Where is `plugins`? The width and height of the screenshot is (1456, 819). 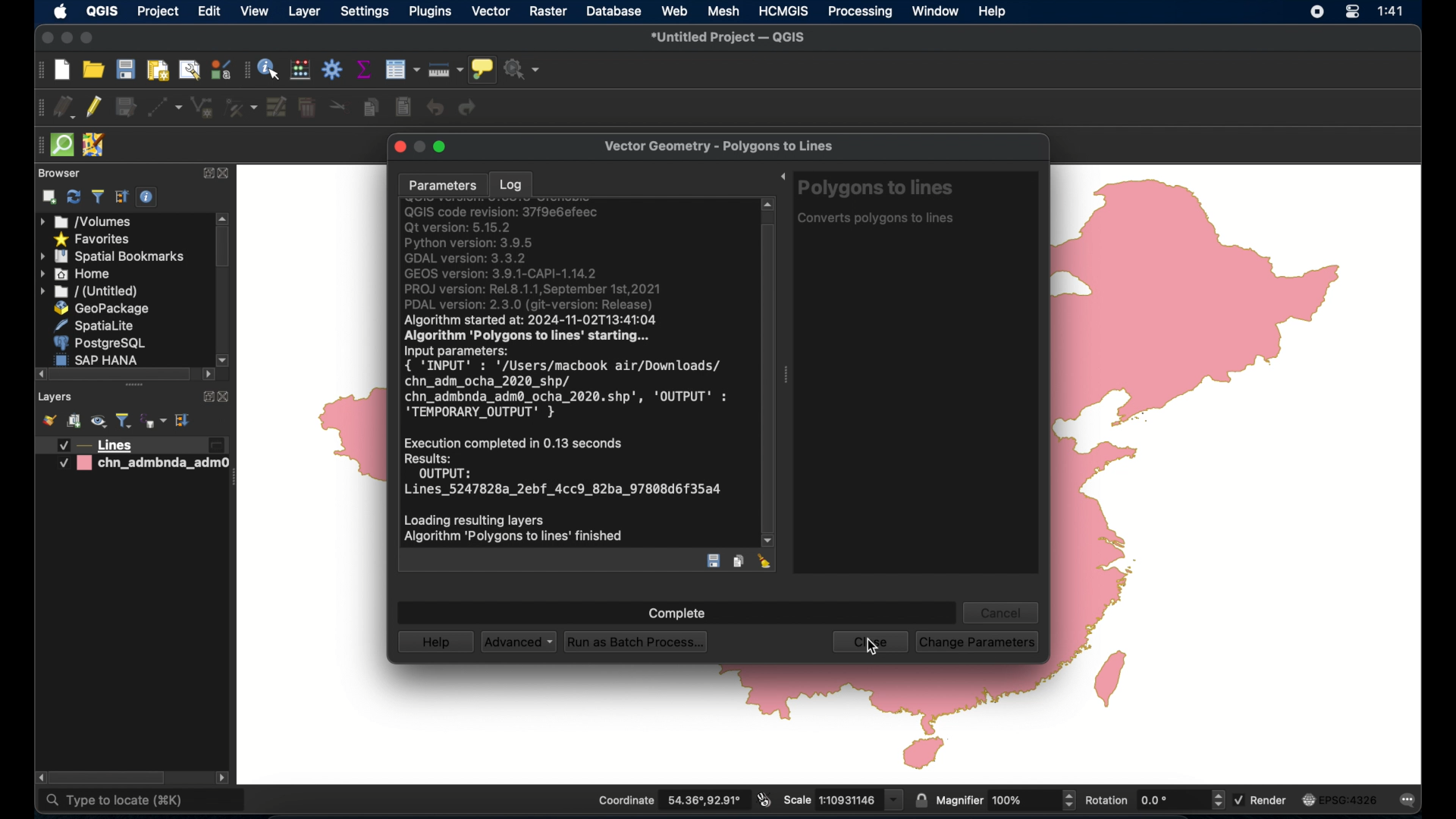
plugins is located at coordinates (428, 11).